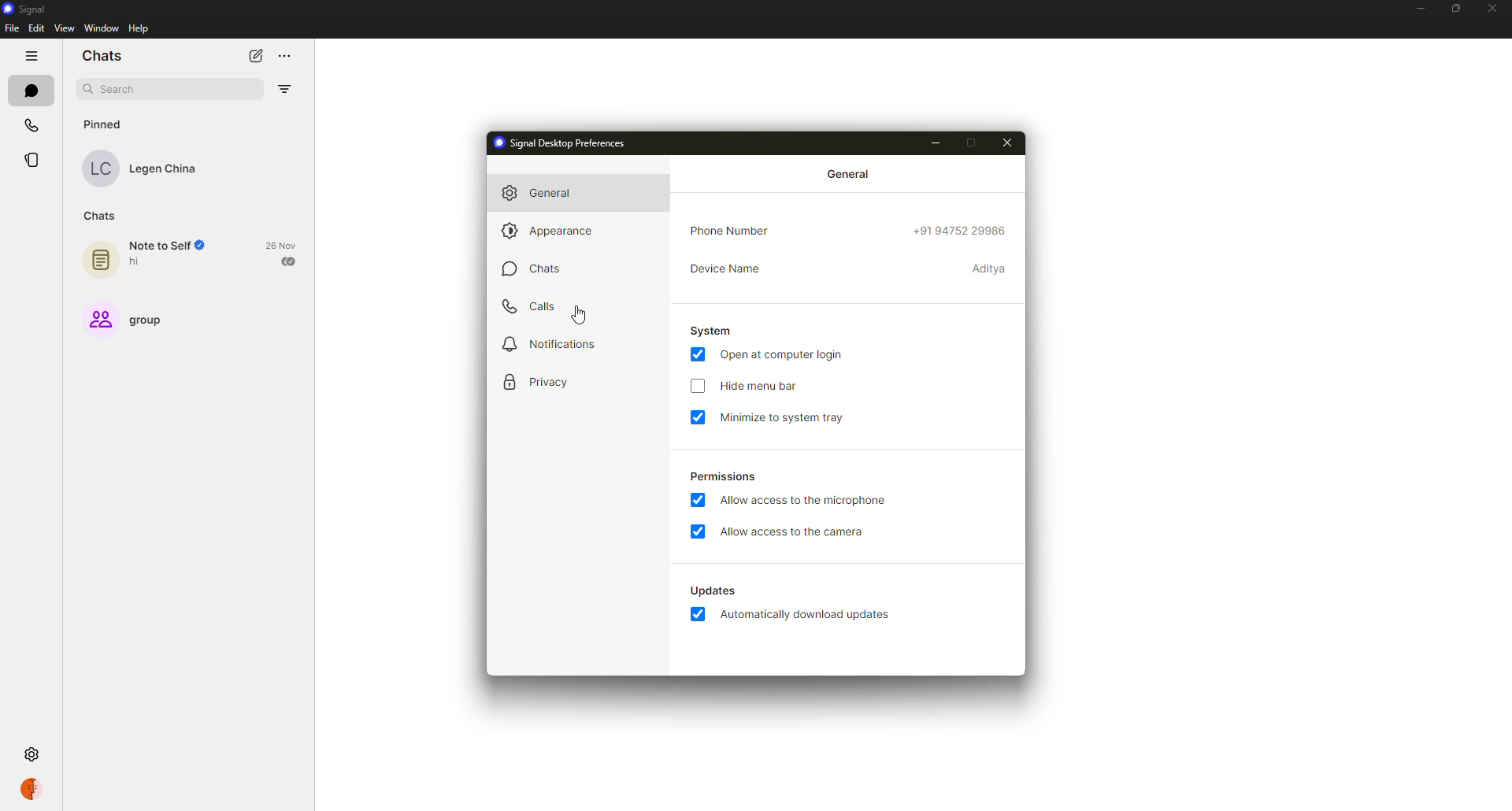 The image size is (1512, 811). Describe the element at coordinates (757, 385) in the screenshot. I see `hide menu bar` at that location.